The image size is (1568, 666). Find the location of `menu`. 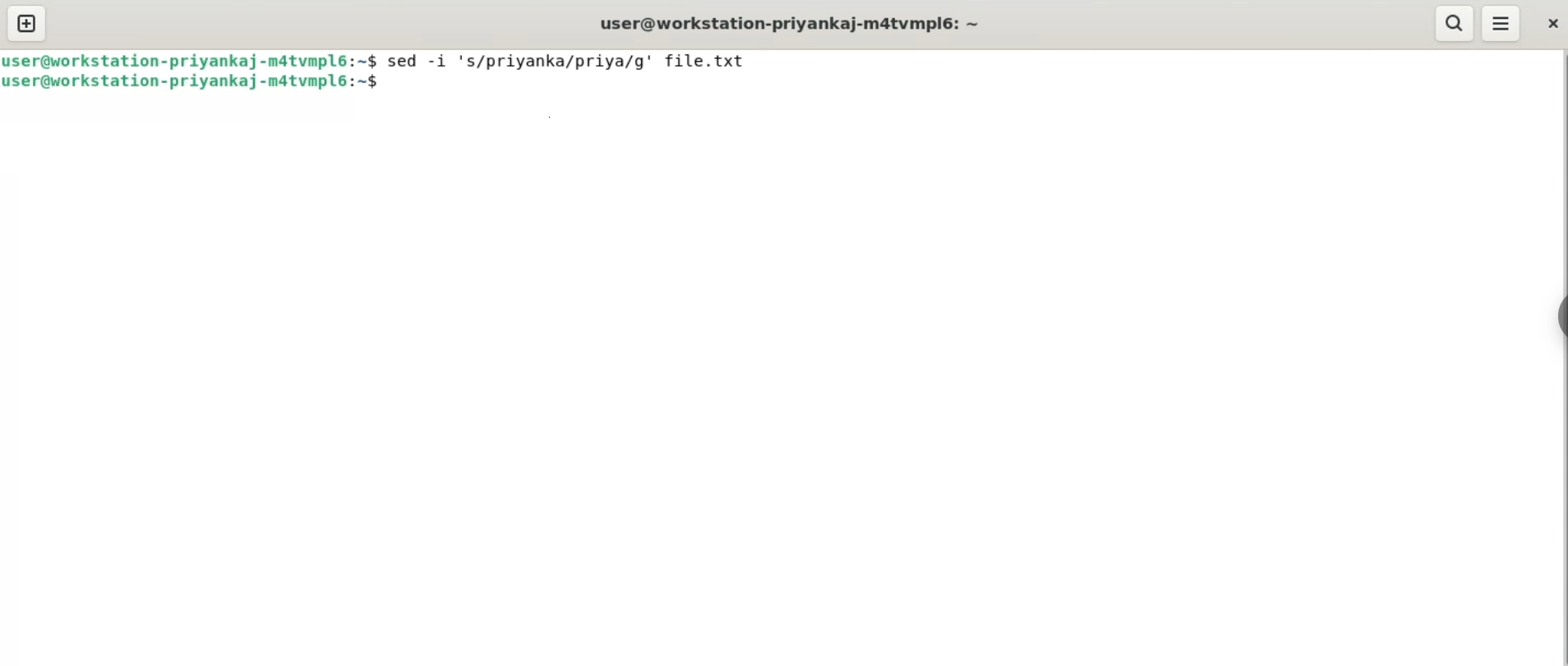

menu is located at coordinates (1502, 23).